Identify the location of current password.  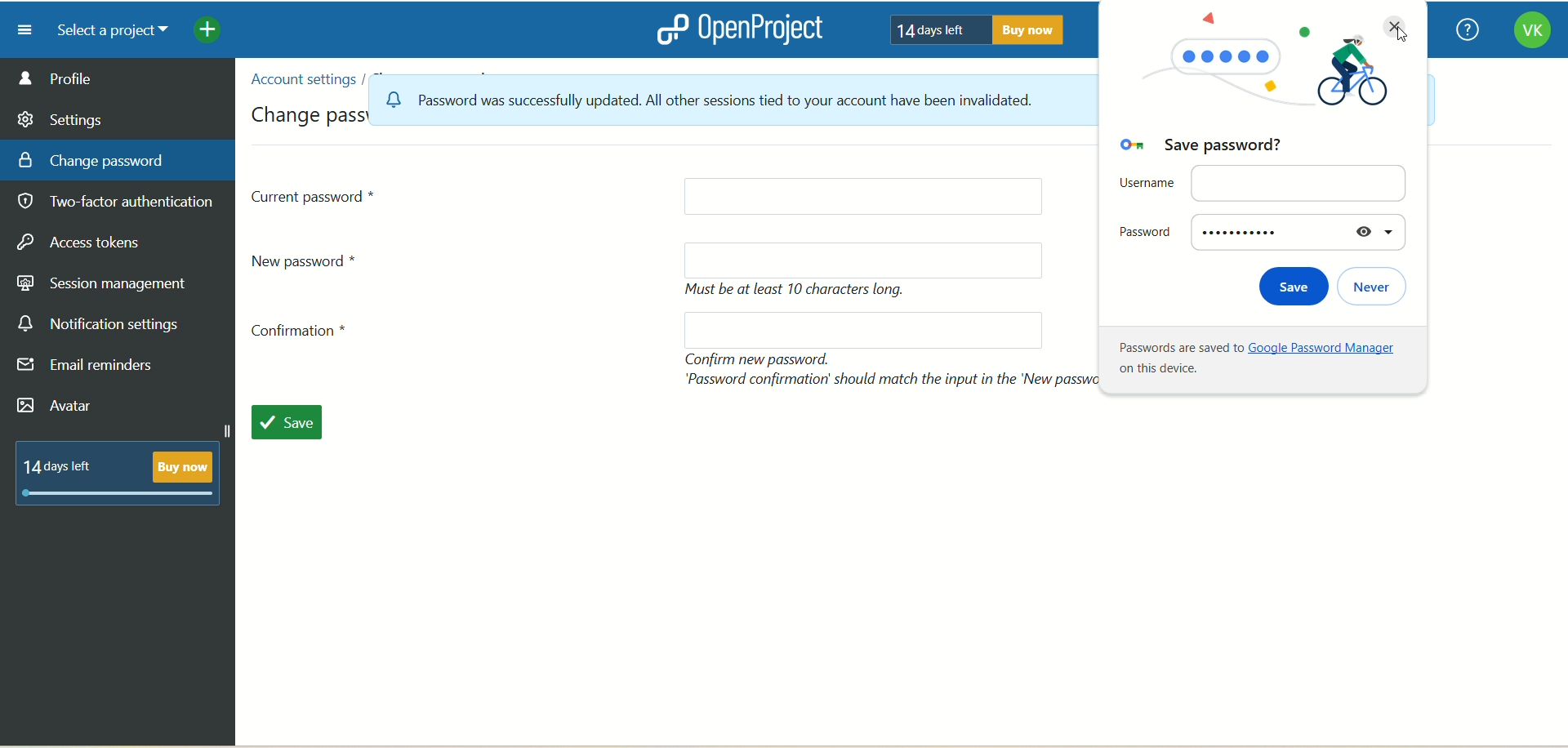
(862, 198).